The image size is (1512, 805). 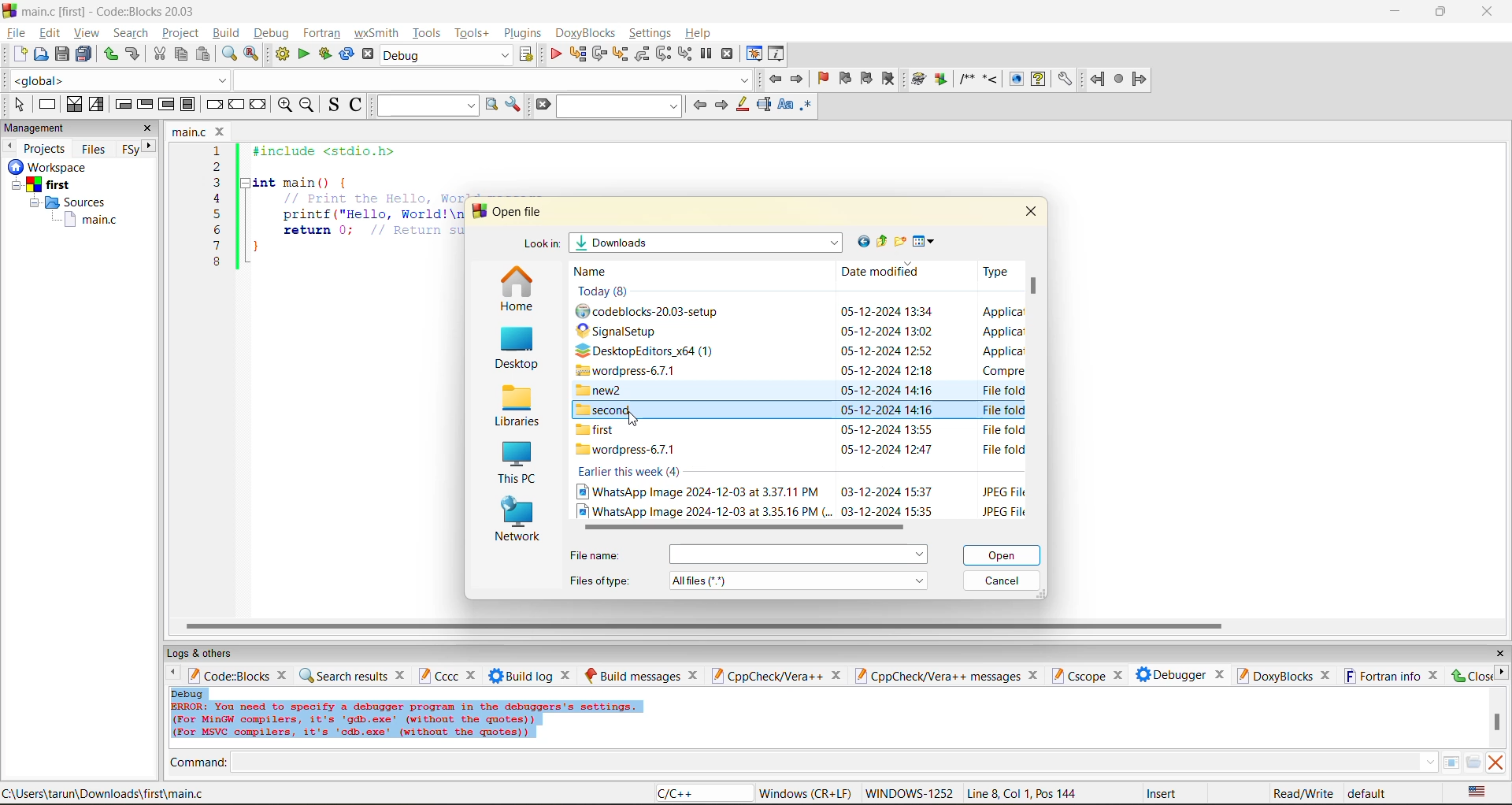 I want to click on cccc, so click(x=438, y=675).